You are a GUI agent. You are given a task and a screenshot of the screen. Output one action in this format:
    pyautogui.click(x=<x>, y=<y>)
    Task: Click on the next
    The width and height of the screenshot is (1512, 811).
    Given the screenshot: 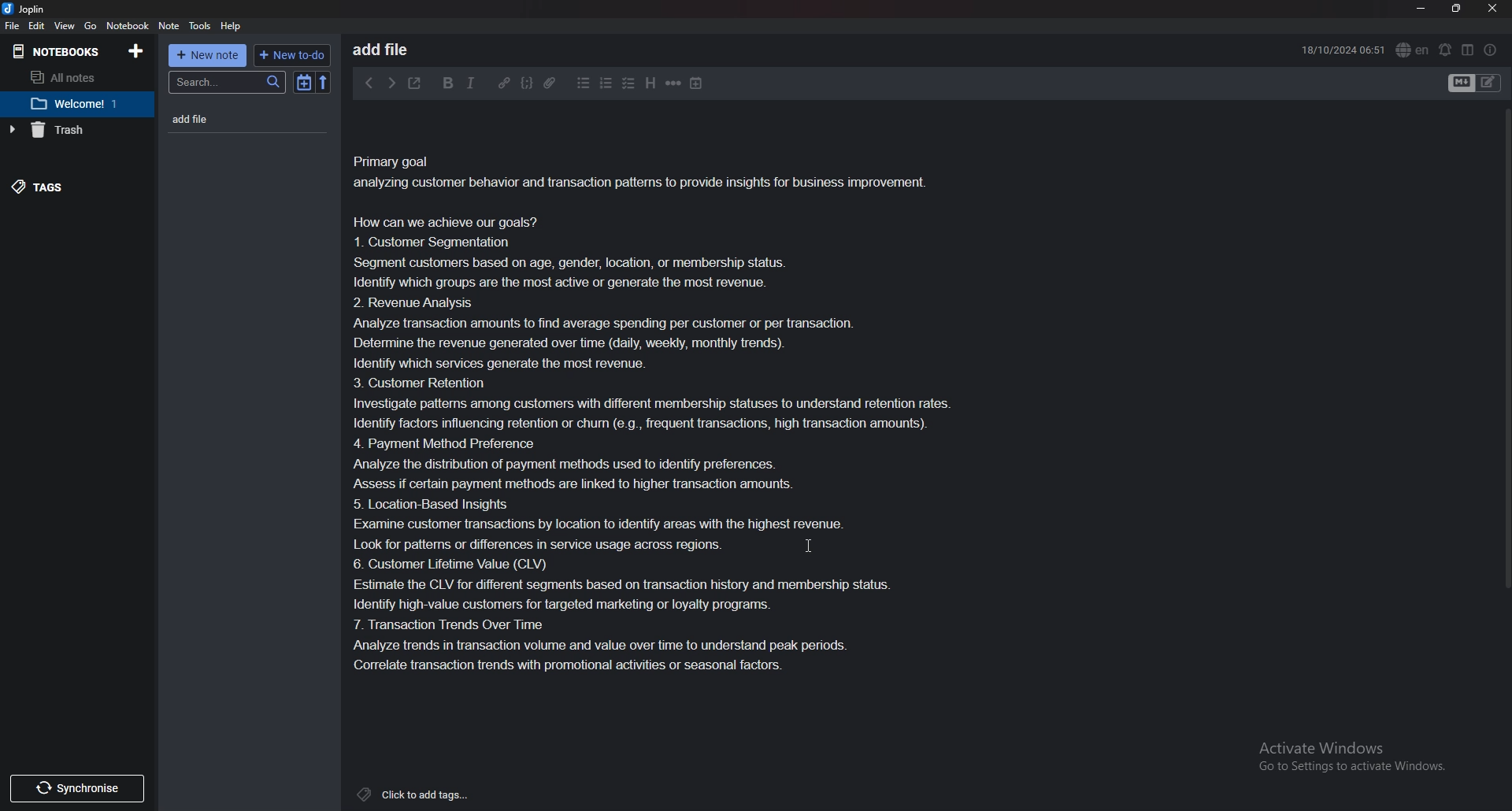 What is the action you would take?
    pyautogui.click(x=391, y=83)
    